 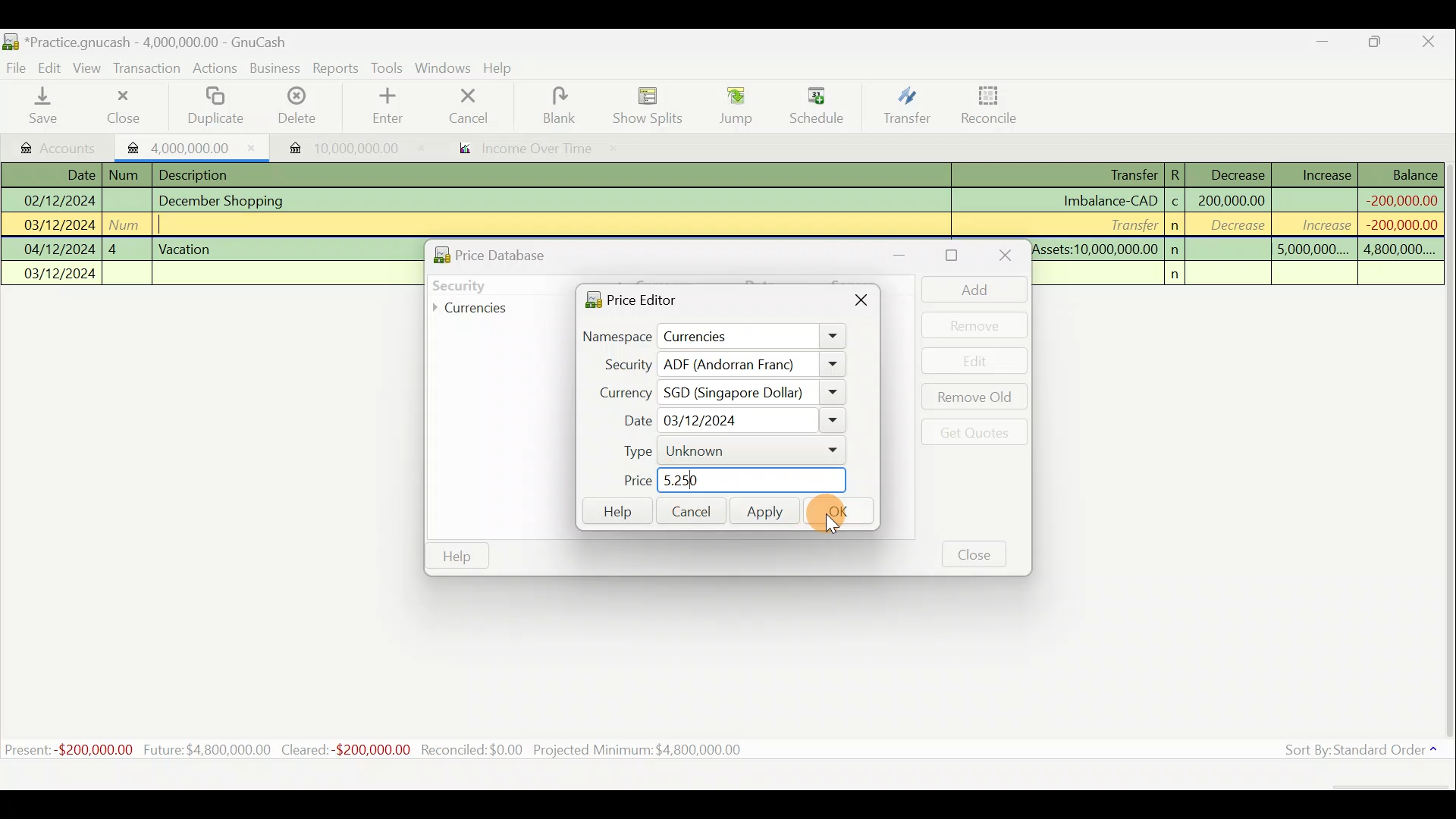 What do you see at coordinates (126, 247) in the screenshot?
I see `4` at bounding box center [126, 247].